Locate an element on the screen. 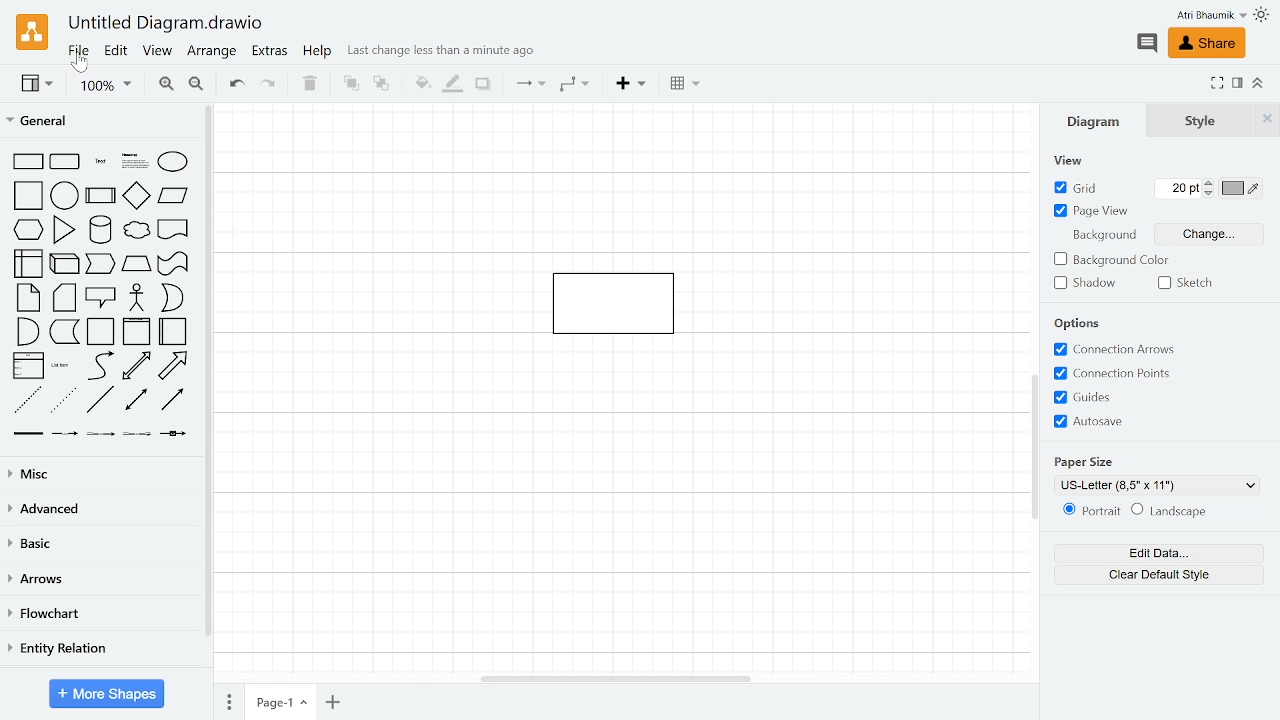 The image size is (1280, 720). Close is located at coordinates (1267, 120).